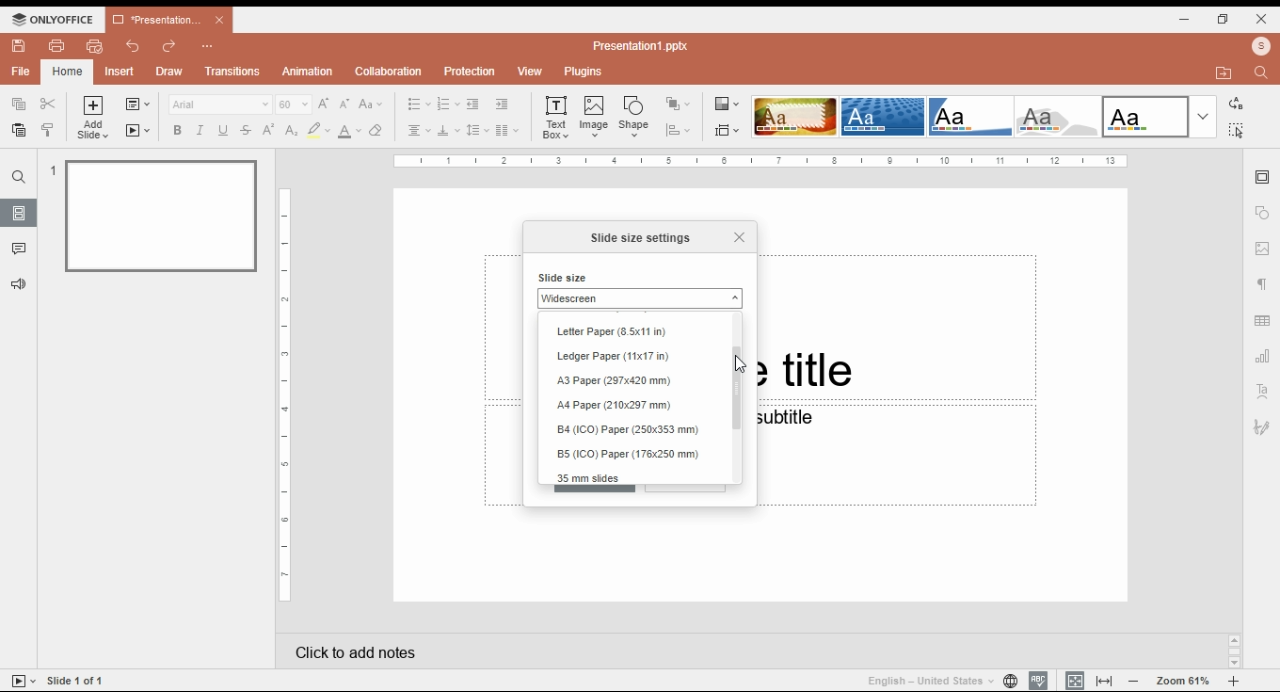 The image size is (1280, 692). Describe the element at coordinates (20, 285) in the screenshot. I see `feedback and support` at that location.